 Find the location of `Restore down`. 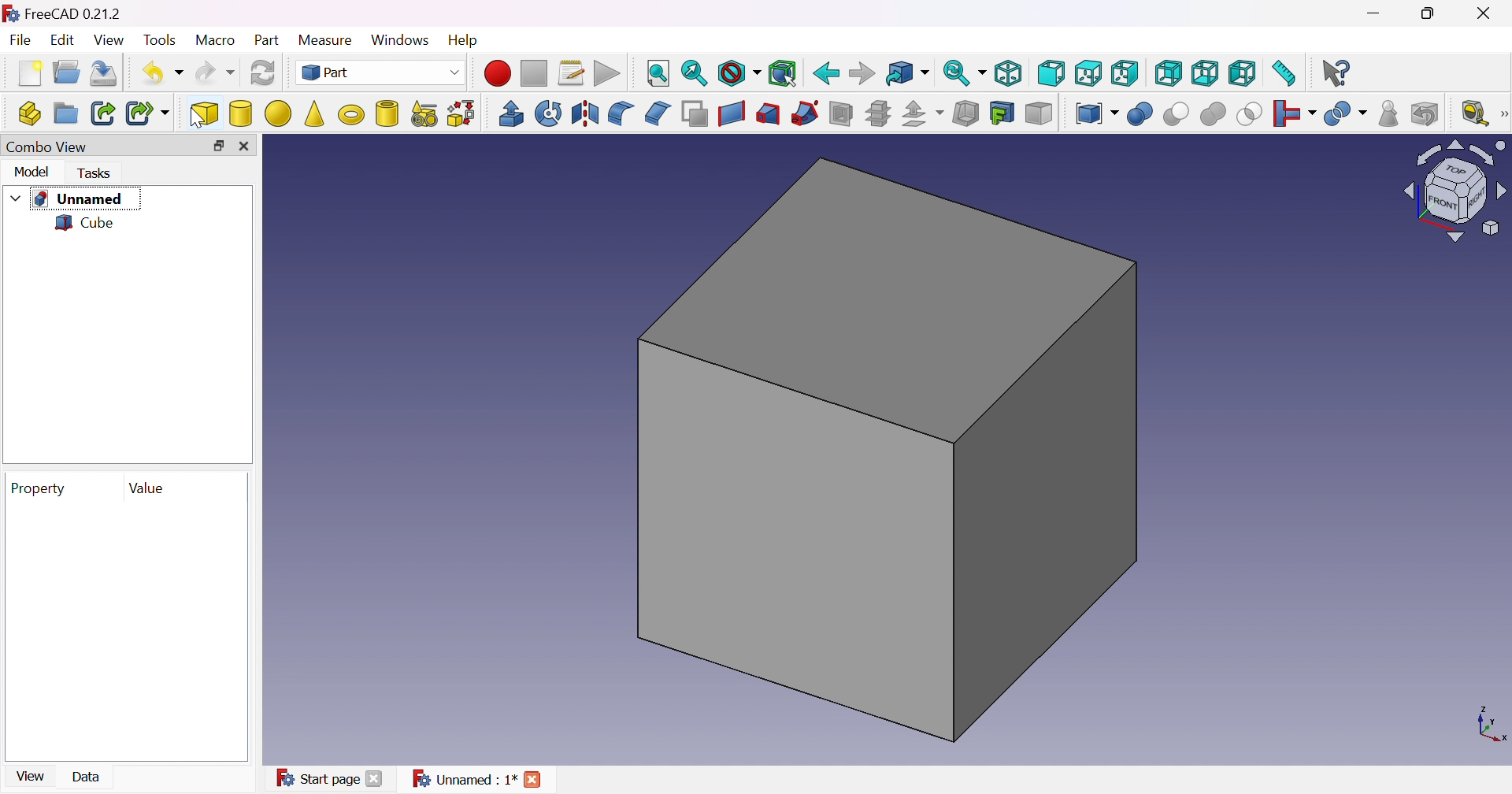

Restore down is located at coordinates (218, 146).